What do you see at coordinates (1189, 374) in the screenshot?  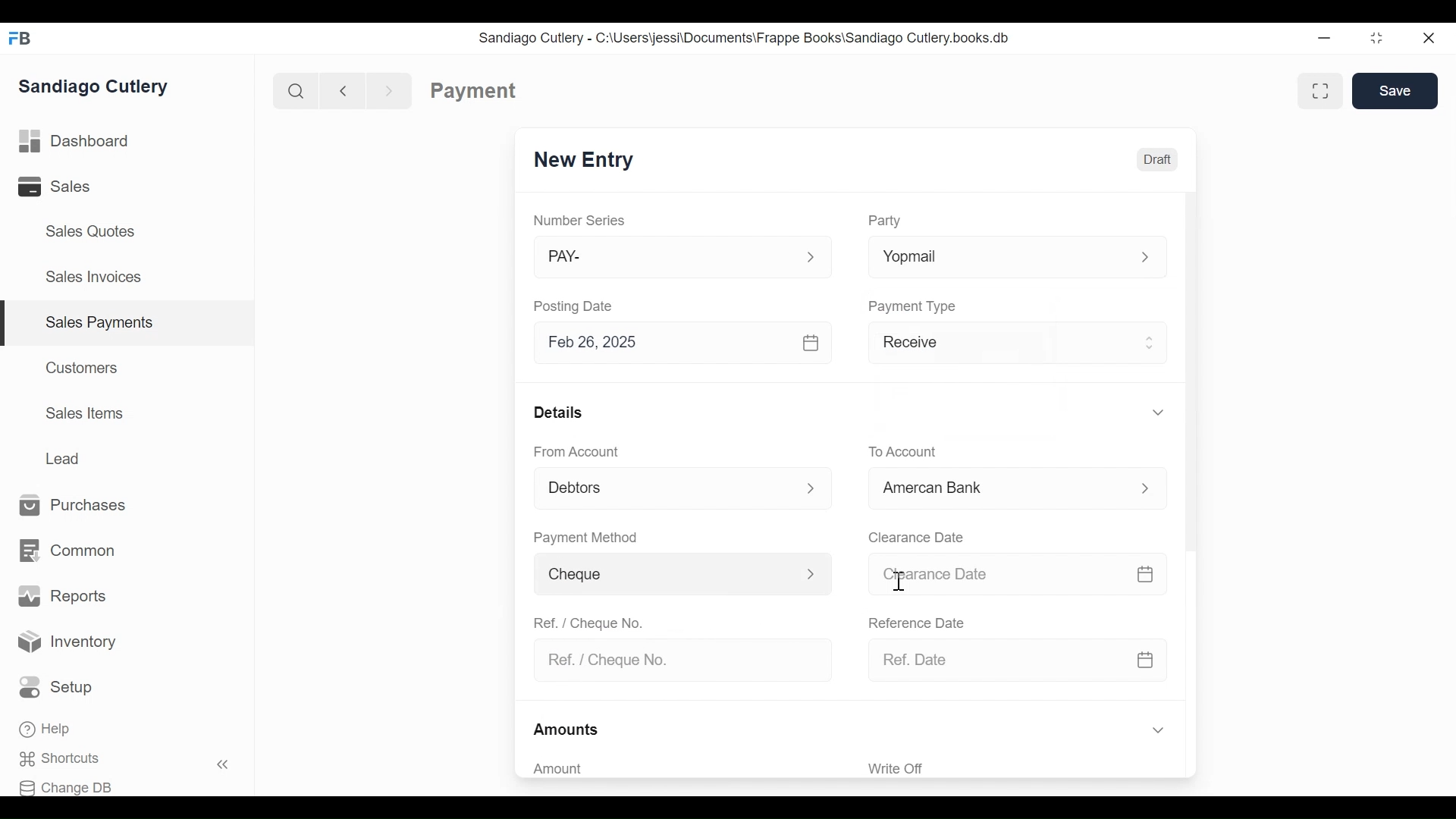 I see `Vertical Scroll bar` at bounding box center [1189, 374].